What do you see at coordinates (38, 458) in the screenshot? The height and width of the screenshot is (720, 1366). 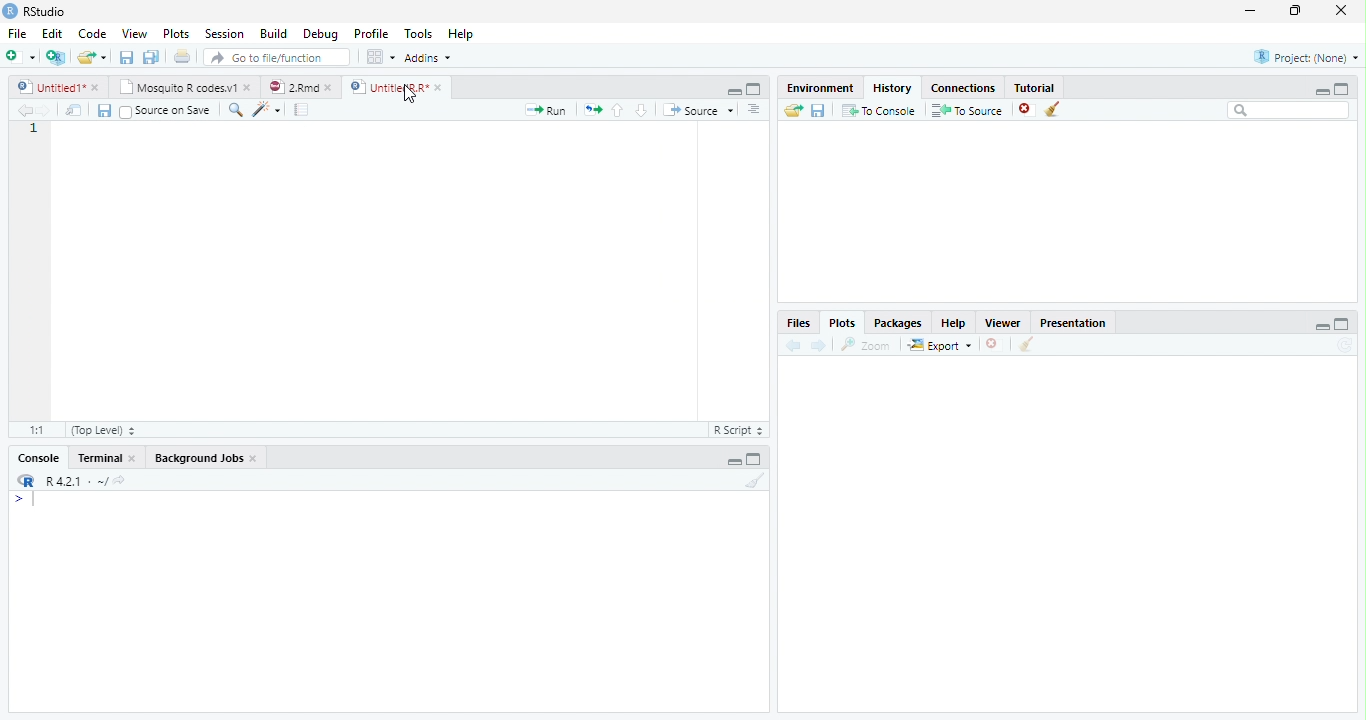 I see `Console` at bounding box center [38, 458].